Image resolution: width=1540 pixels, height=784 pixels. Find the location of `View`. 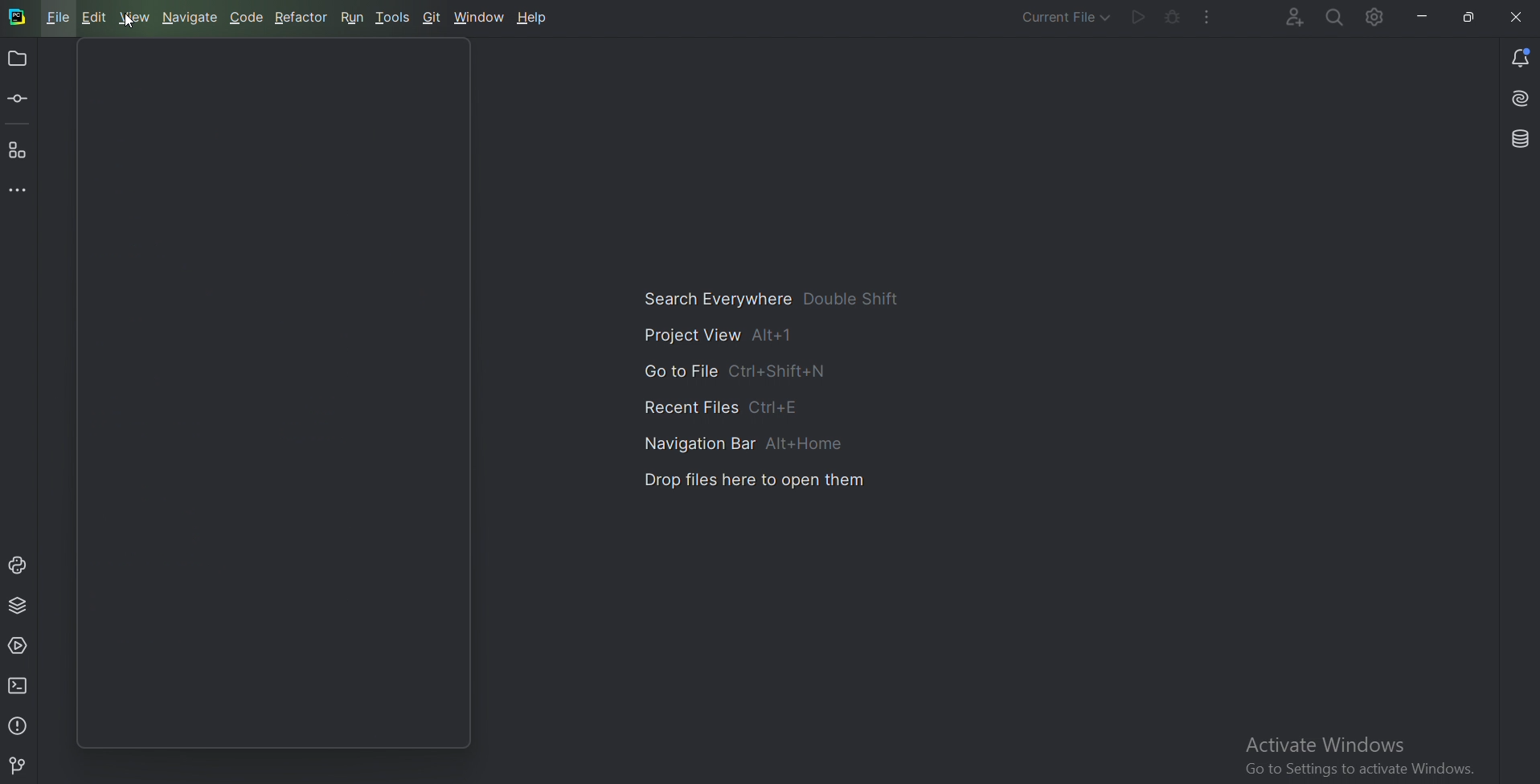

View is located at coordinates (134, 16).